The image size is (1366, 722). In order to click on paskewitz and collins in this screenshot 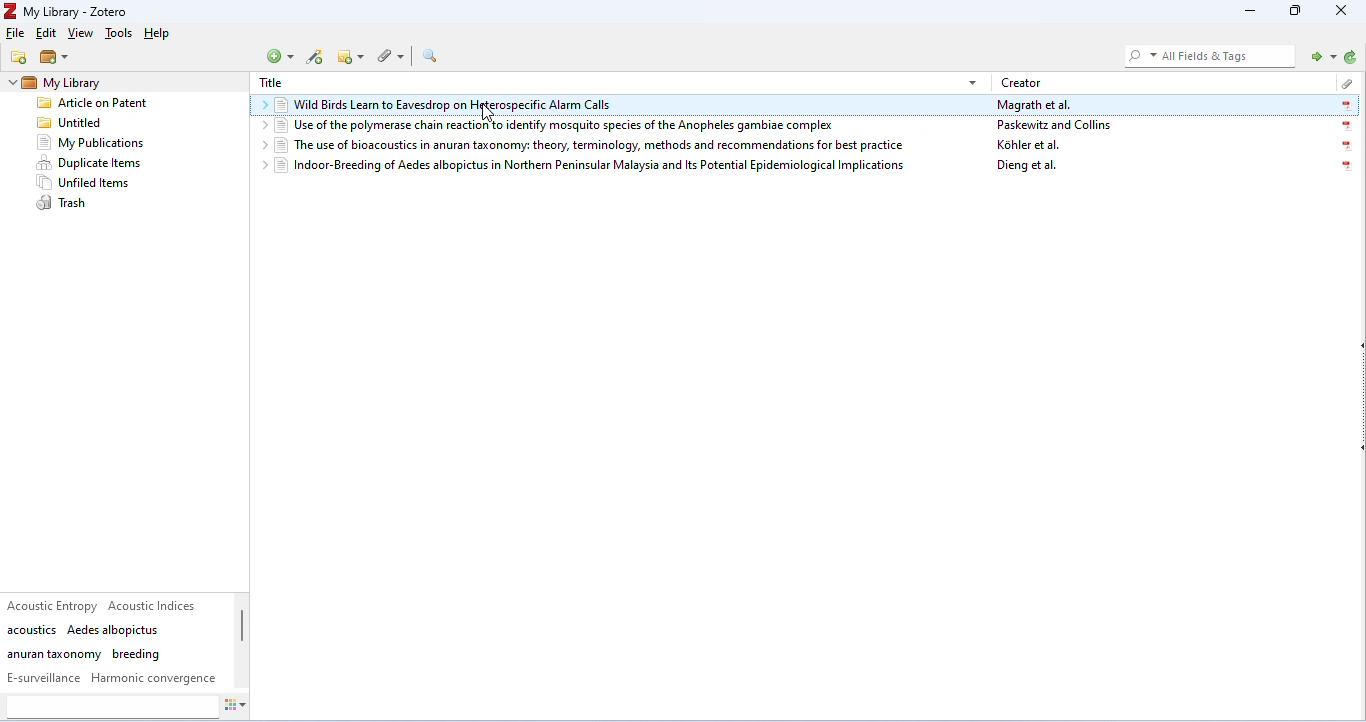, I will do `click(1057, 127)`.